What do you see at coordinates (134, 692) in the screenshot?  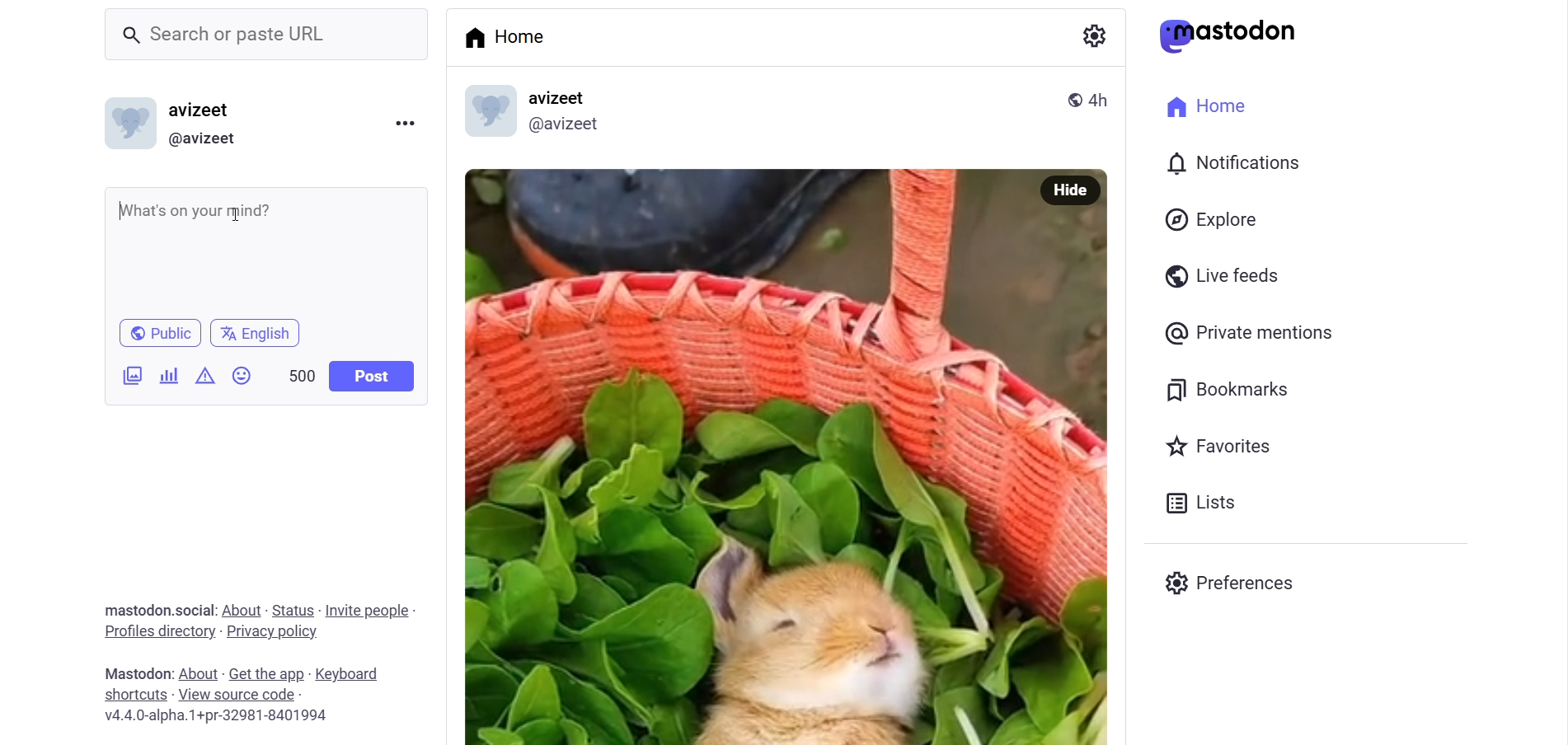 I see `shortcut` at bounding box center [134, 692].